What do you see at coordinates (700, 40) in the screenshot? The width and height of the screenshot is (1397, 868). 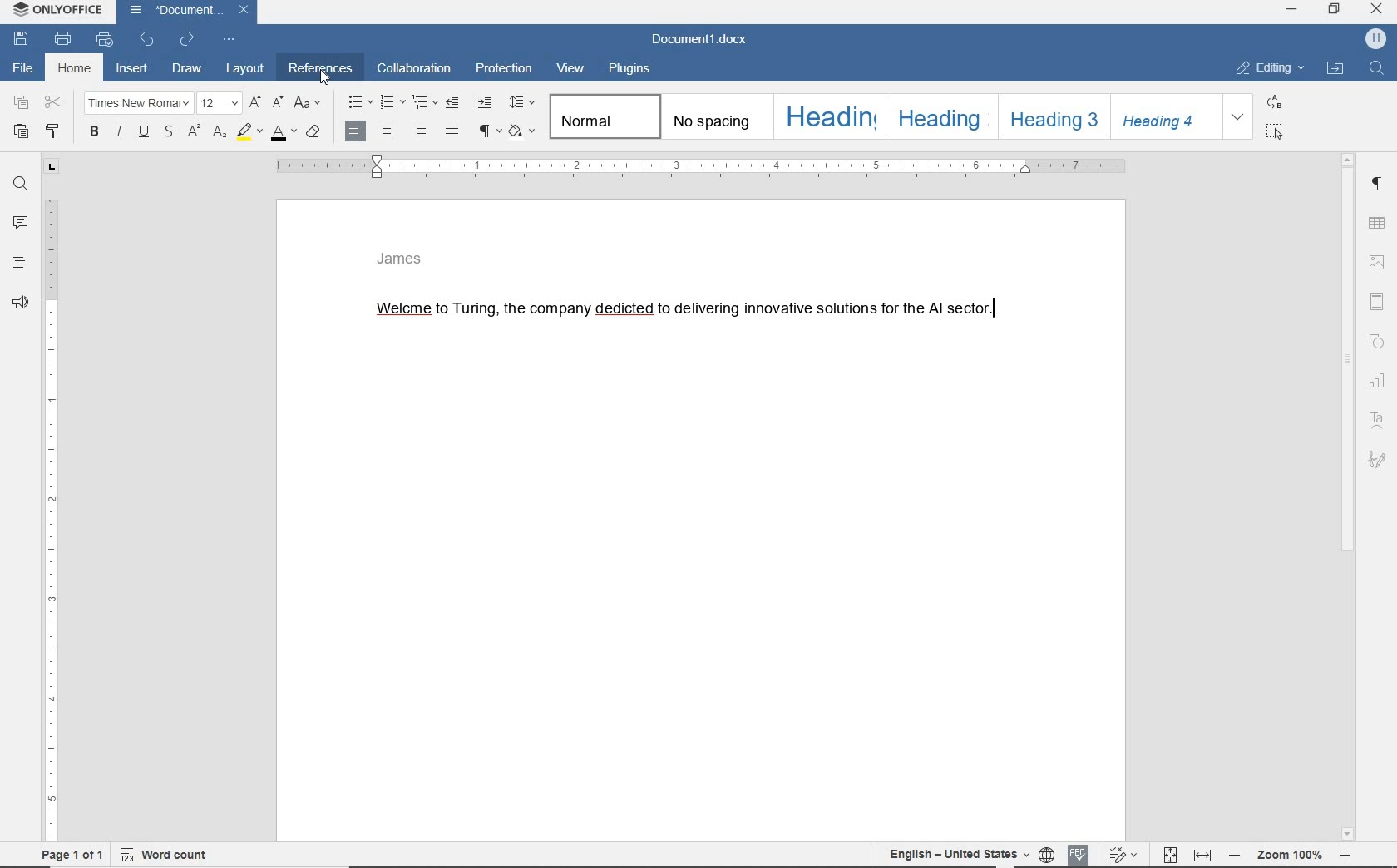 I see `document name` at bounding box center [700, 40].